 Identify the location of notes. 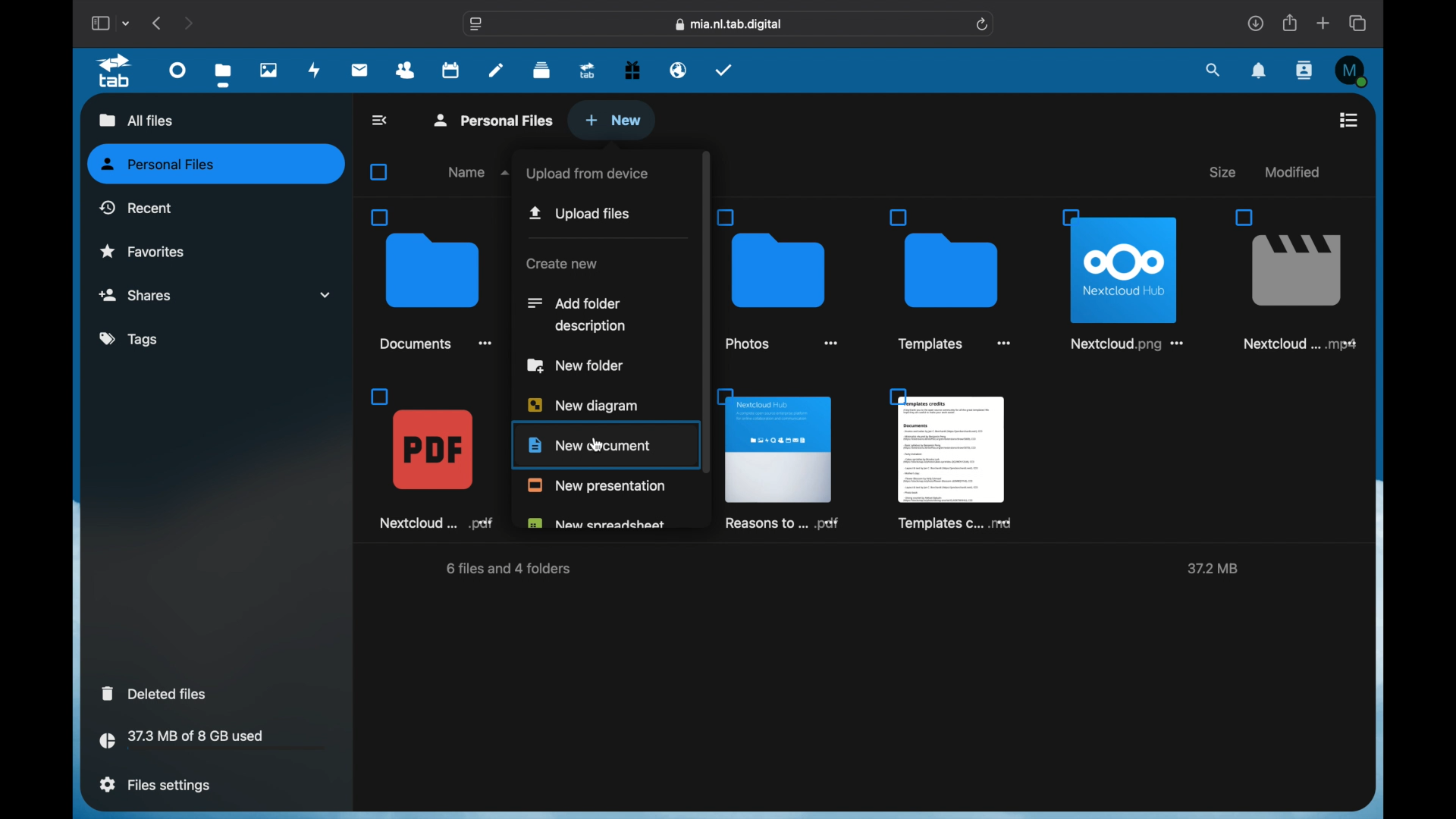
(496, 69).